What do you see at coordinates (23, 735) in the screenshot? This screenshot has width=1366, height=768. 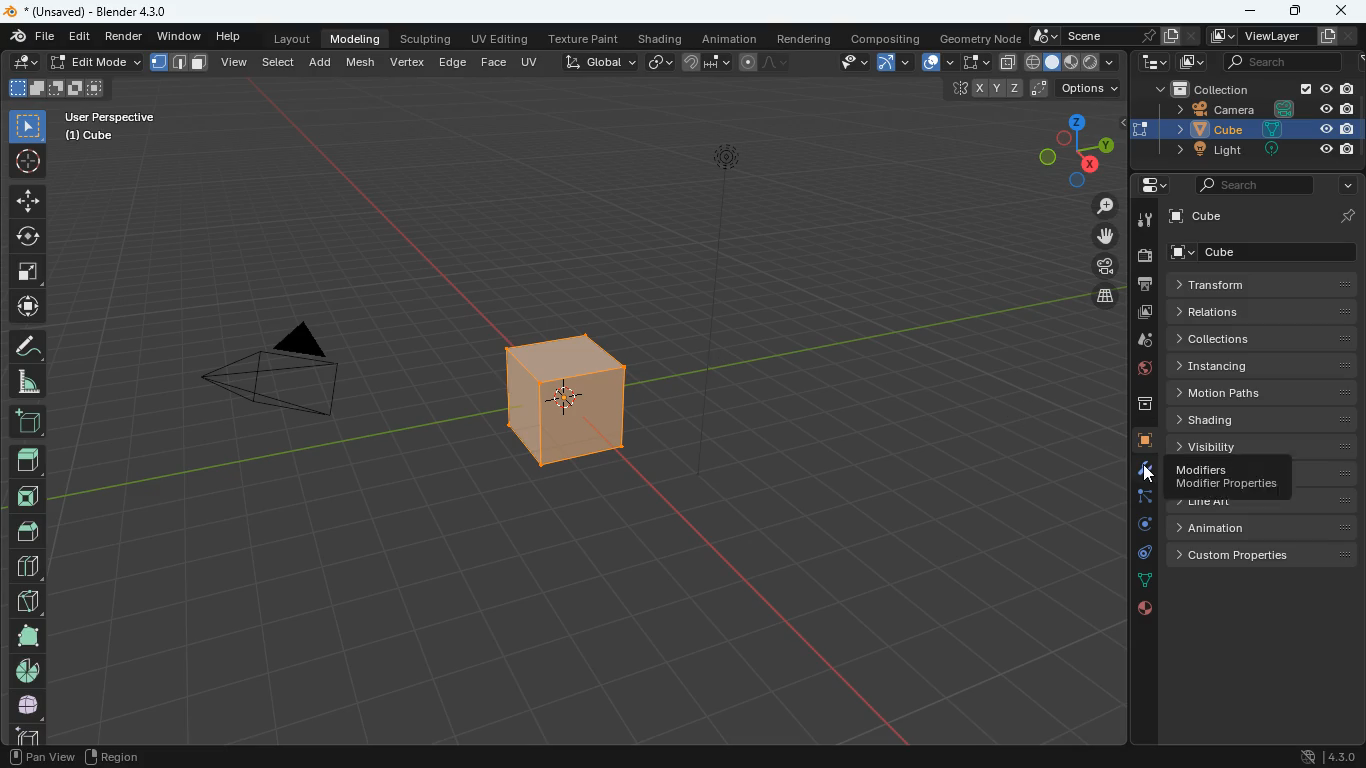 I see `cube` at bounding box center [23, 735].